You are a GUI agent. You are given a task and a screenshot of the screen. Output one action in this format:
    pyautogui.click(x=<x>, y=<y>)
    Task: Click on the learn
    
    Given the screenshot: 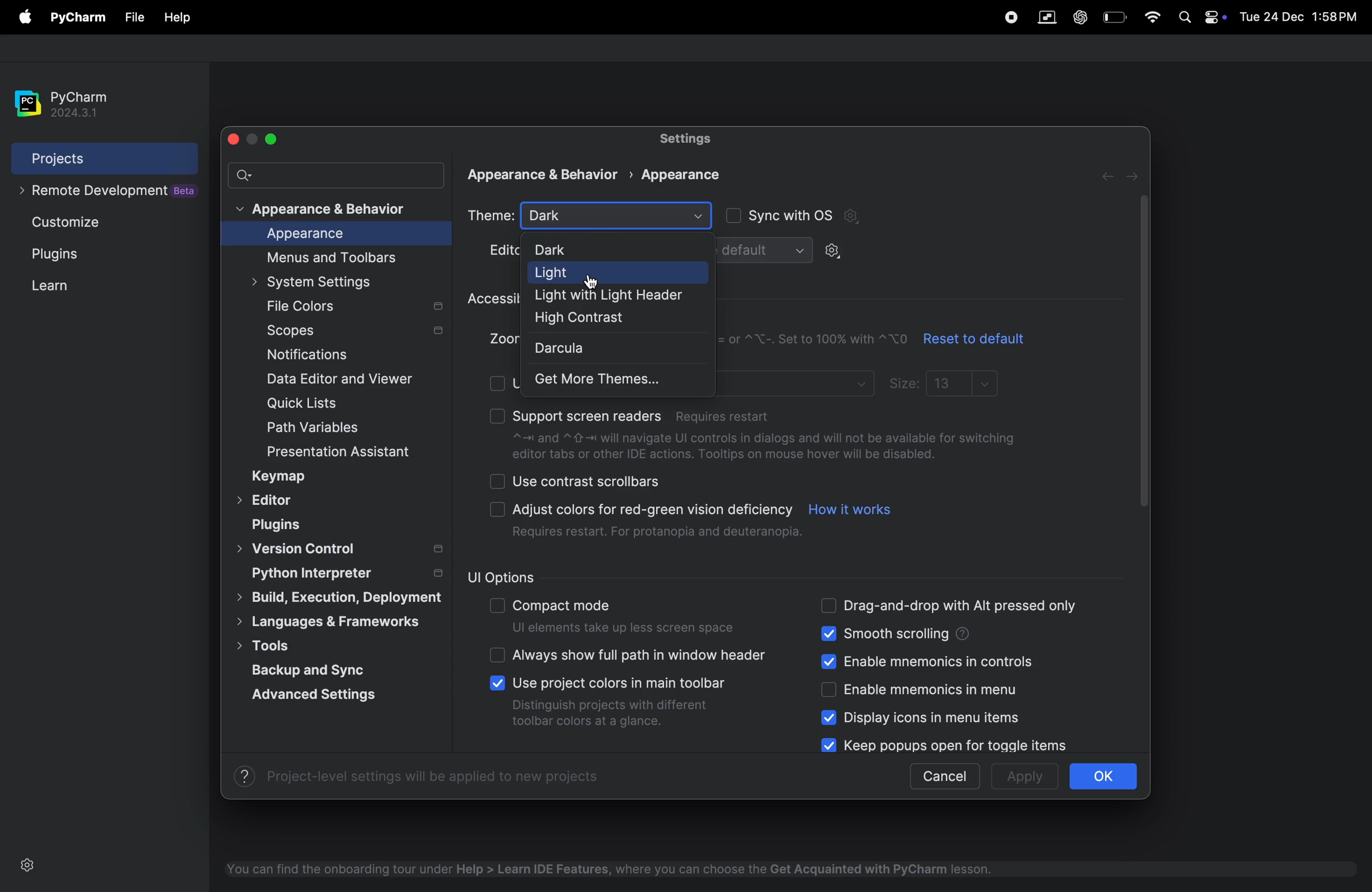 What is the action you would take?
    pyautogui.click(x=50, y=286)
    